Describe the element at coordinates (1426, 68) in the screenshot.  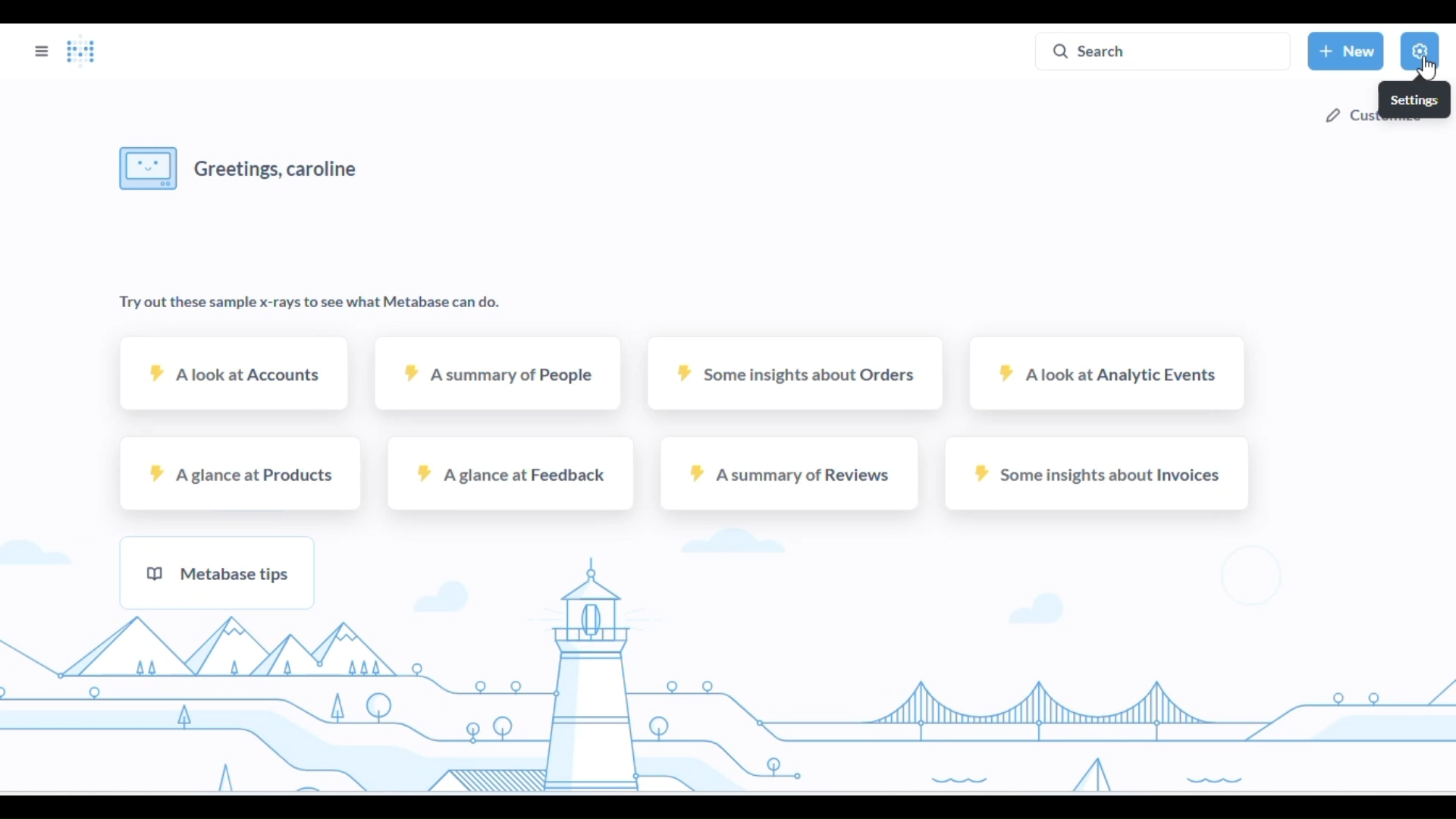
I see `cursor` at that location.